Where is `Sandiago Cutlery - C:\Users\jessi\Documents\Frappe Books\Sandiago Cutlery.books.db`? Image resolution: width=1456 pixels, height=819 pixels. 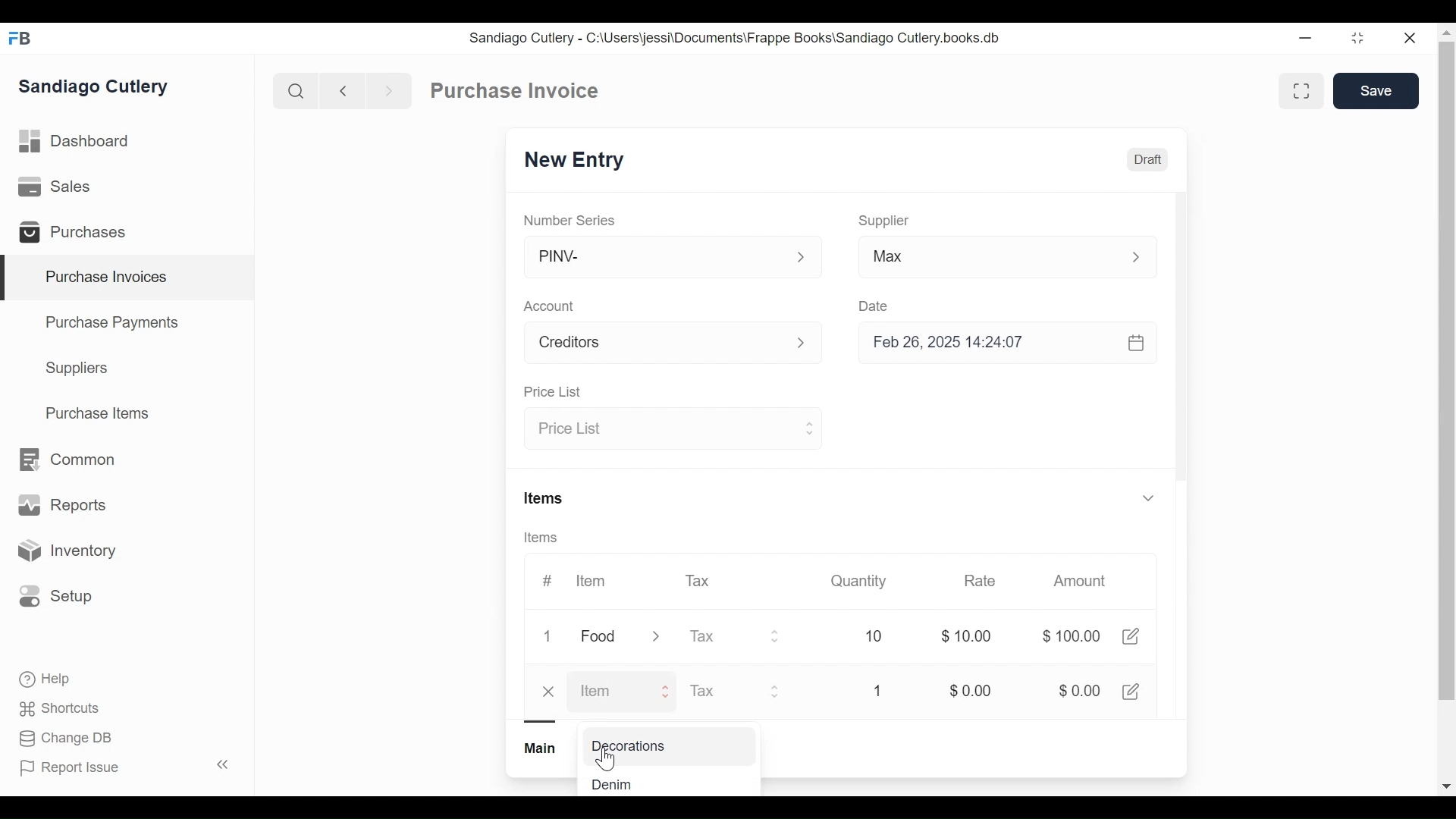
Sandiago Cutlery - C:\Users\jessi\Documents\Frappe Books\Sandiago Cutlery.books.db is located at coordinates (730, 38).